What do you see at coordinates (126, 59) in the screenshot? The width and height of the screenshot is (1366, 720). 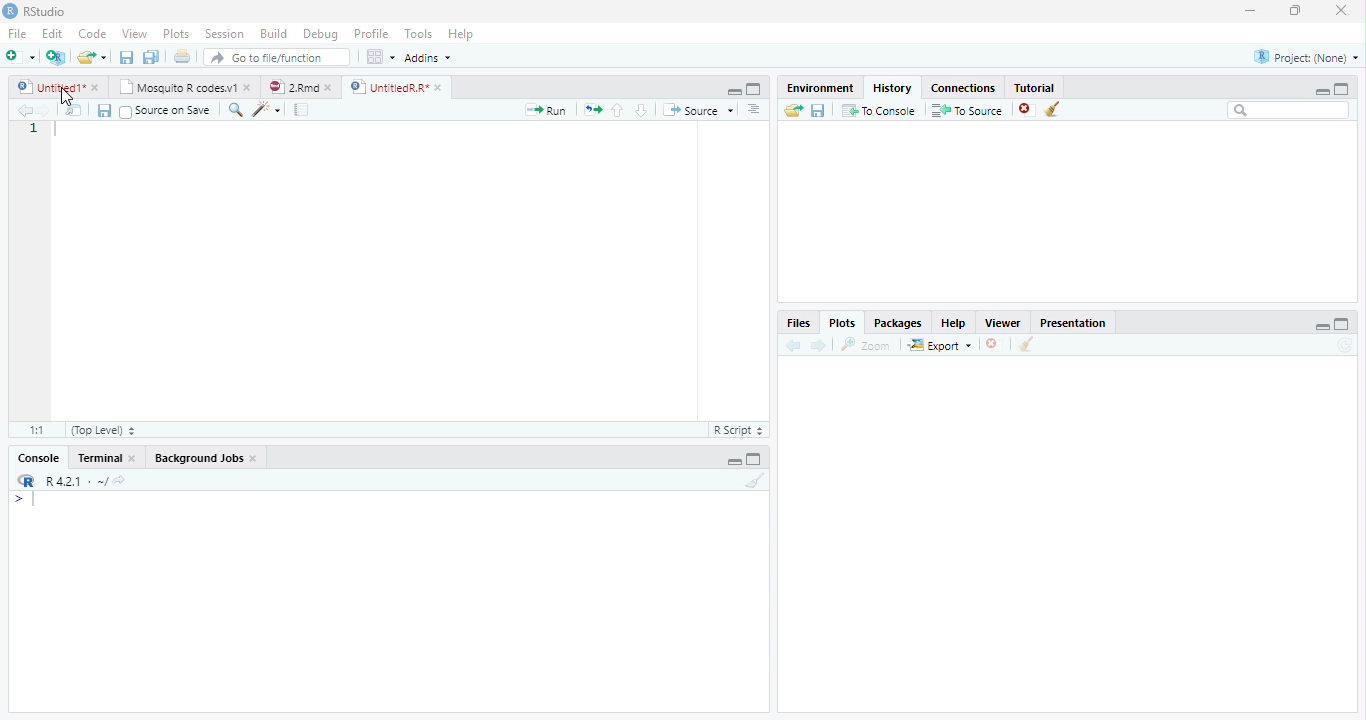 I see `Save` at bounding box center [126, 59].